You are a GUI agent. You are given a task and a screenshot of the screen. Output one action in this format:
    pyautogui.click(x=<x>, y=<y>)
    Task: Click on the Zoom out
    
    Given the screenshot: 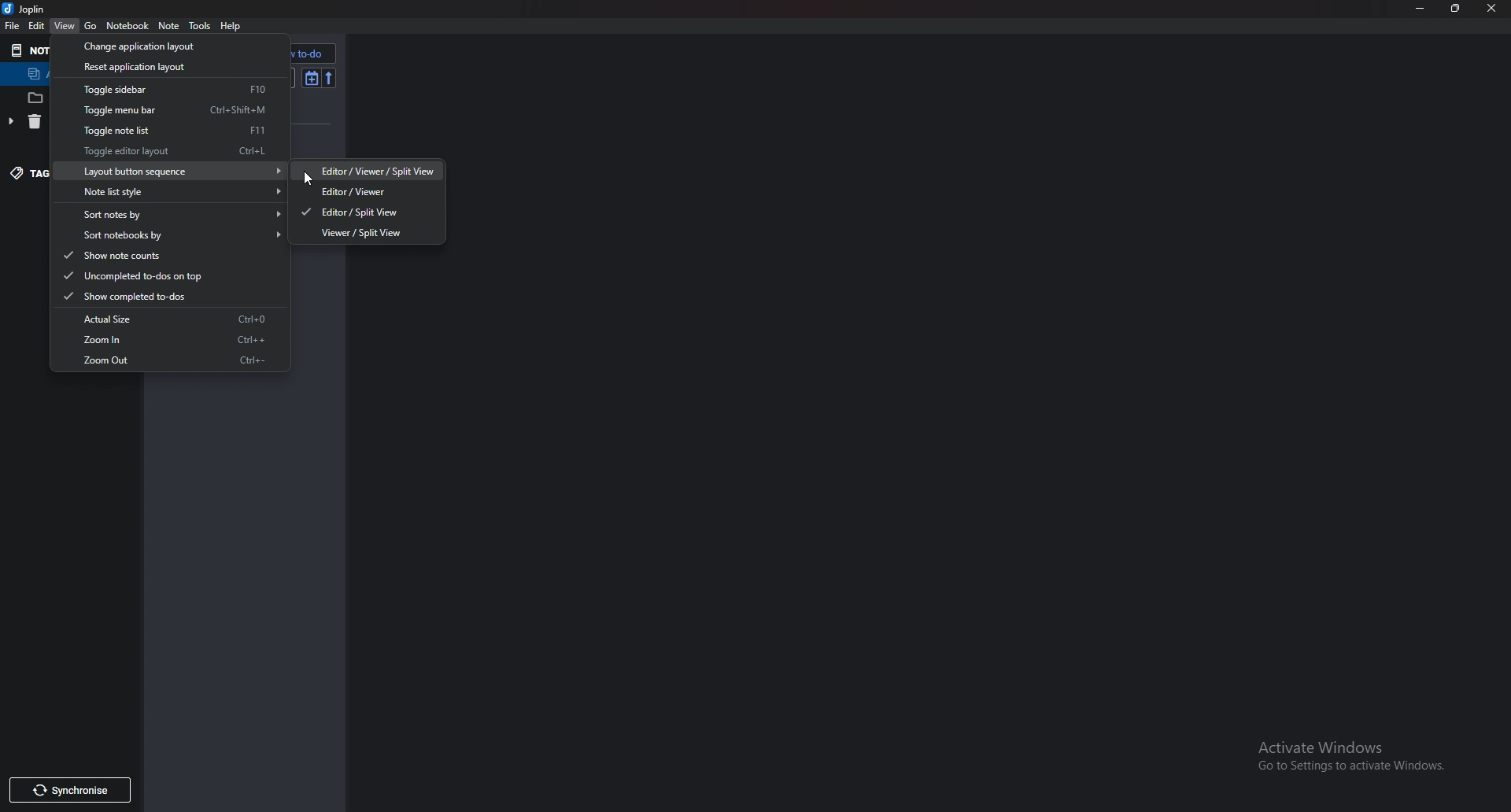 What is the action you would take?
    pyautogui.click(x=172, y=359)
    